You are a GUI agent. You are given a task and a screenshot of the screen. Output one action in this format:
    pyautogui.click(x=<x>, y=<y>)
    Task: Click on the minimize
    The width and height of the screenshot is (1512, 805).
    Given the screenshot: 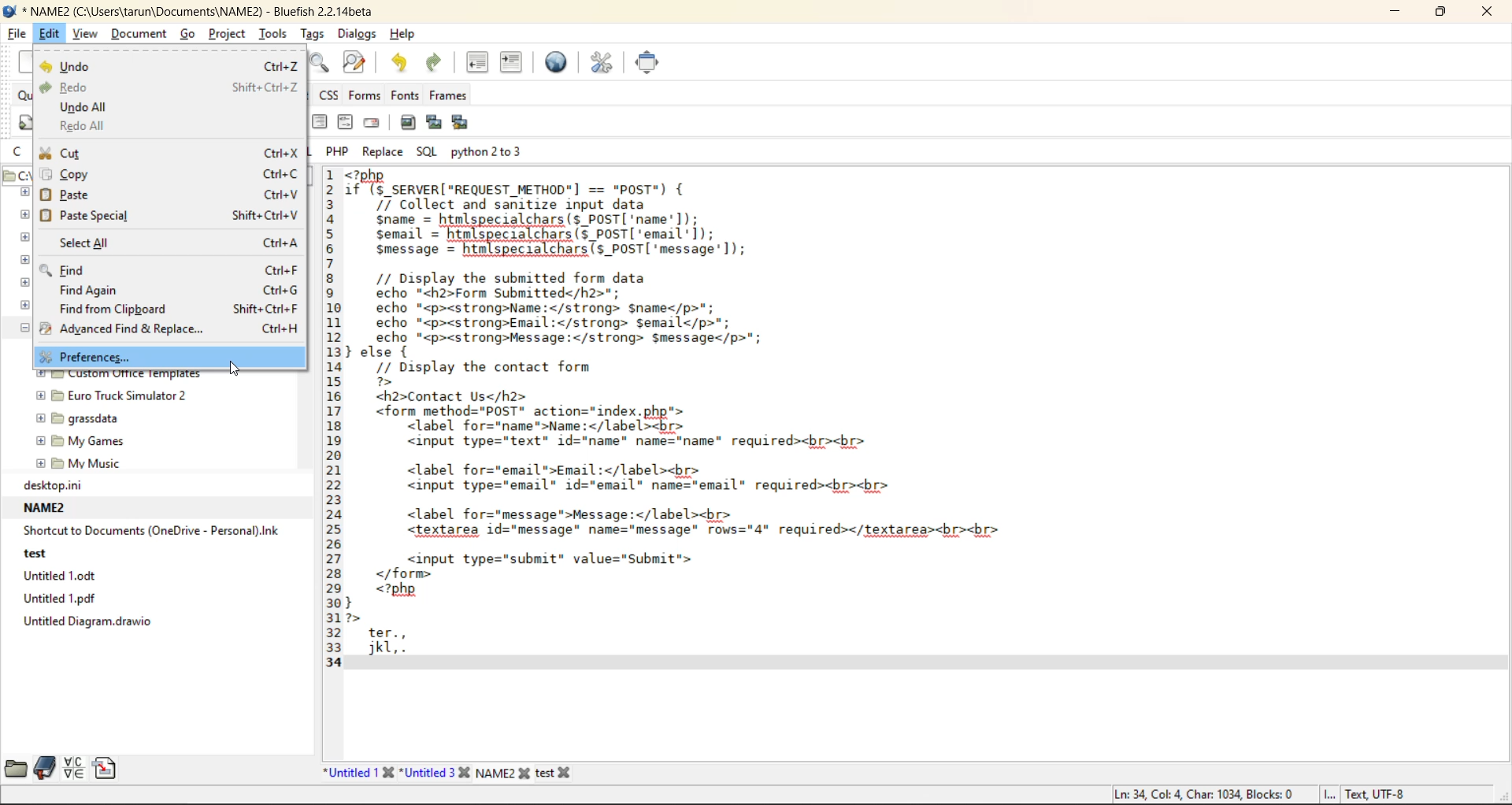 What is the action you would take?
    pyautogui.click(x=1397, y=12)
    